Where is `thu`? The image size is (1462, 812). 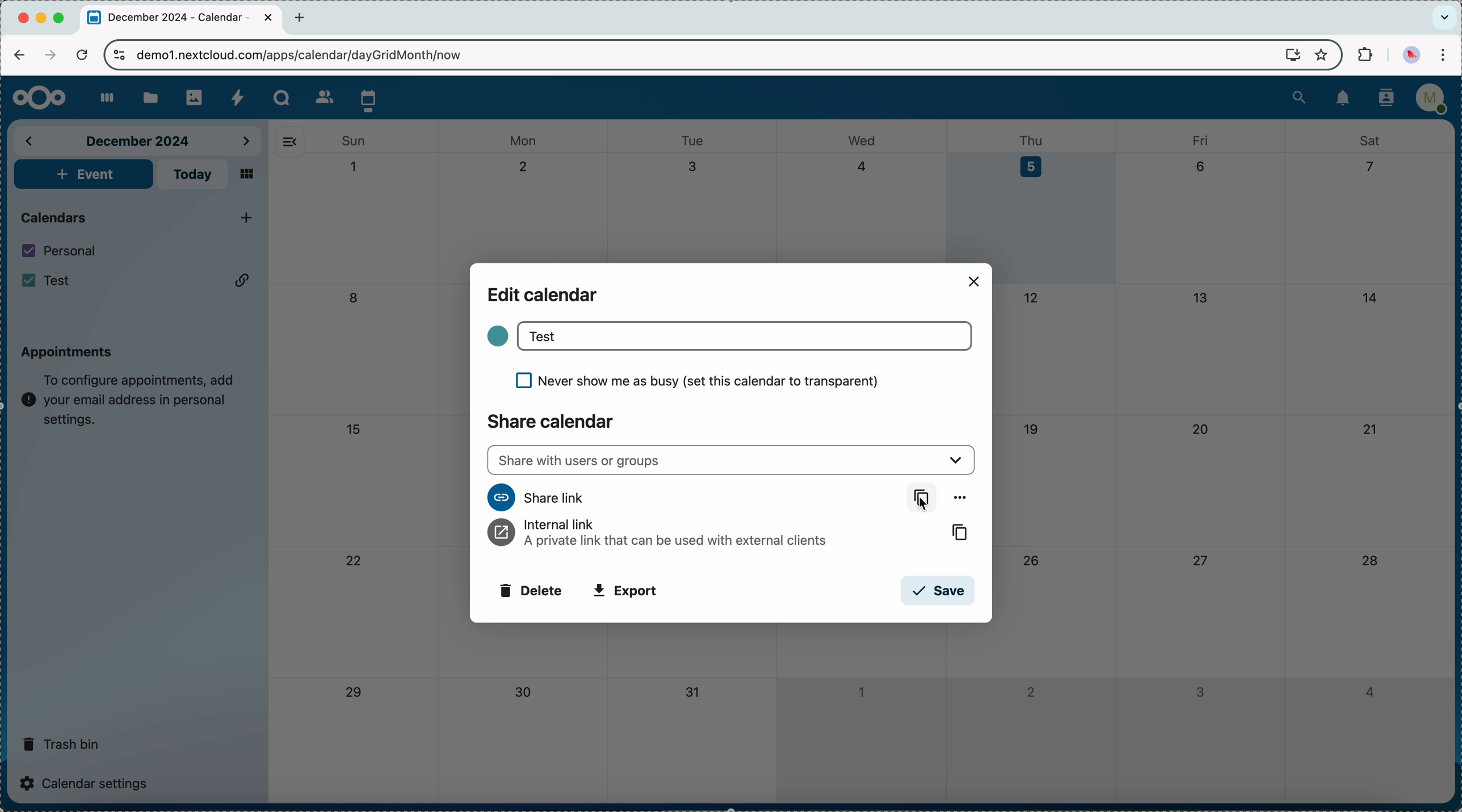 thu is located at coordinates (1036, 139).